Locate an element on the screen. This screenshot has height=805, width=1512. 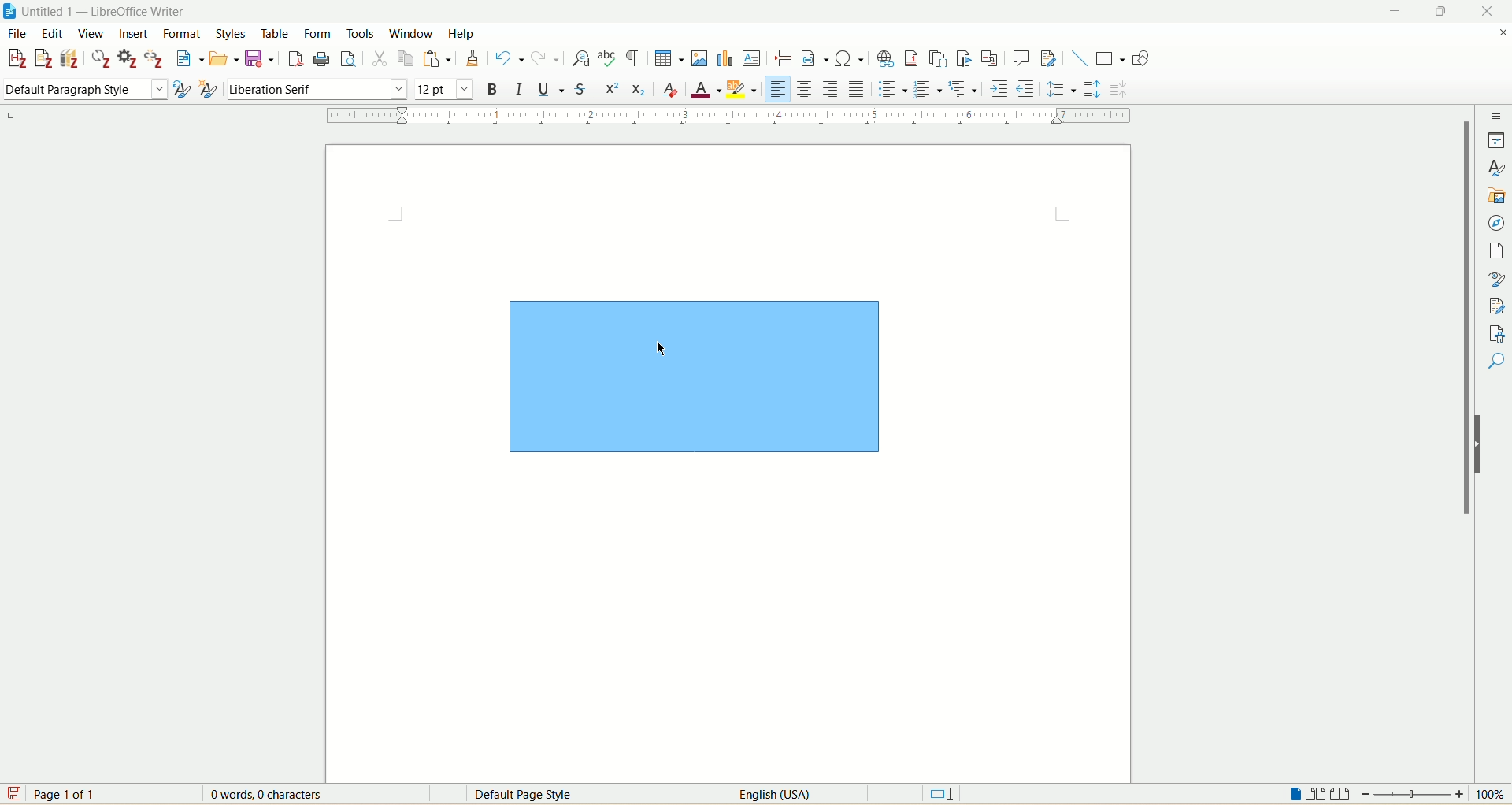
zoom factor is located at coordinates (1435, 795).